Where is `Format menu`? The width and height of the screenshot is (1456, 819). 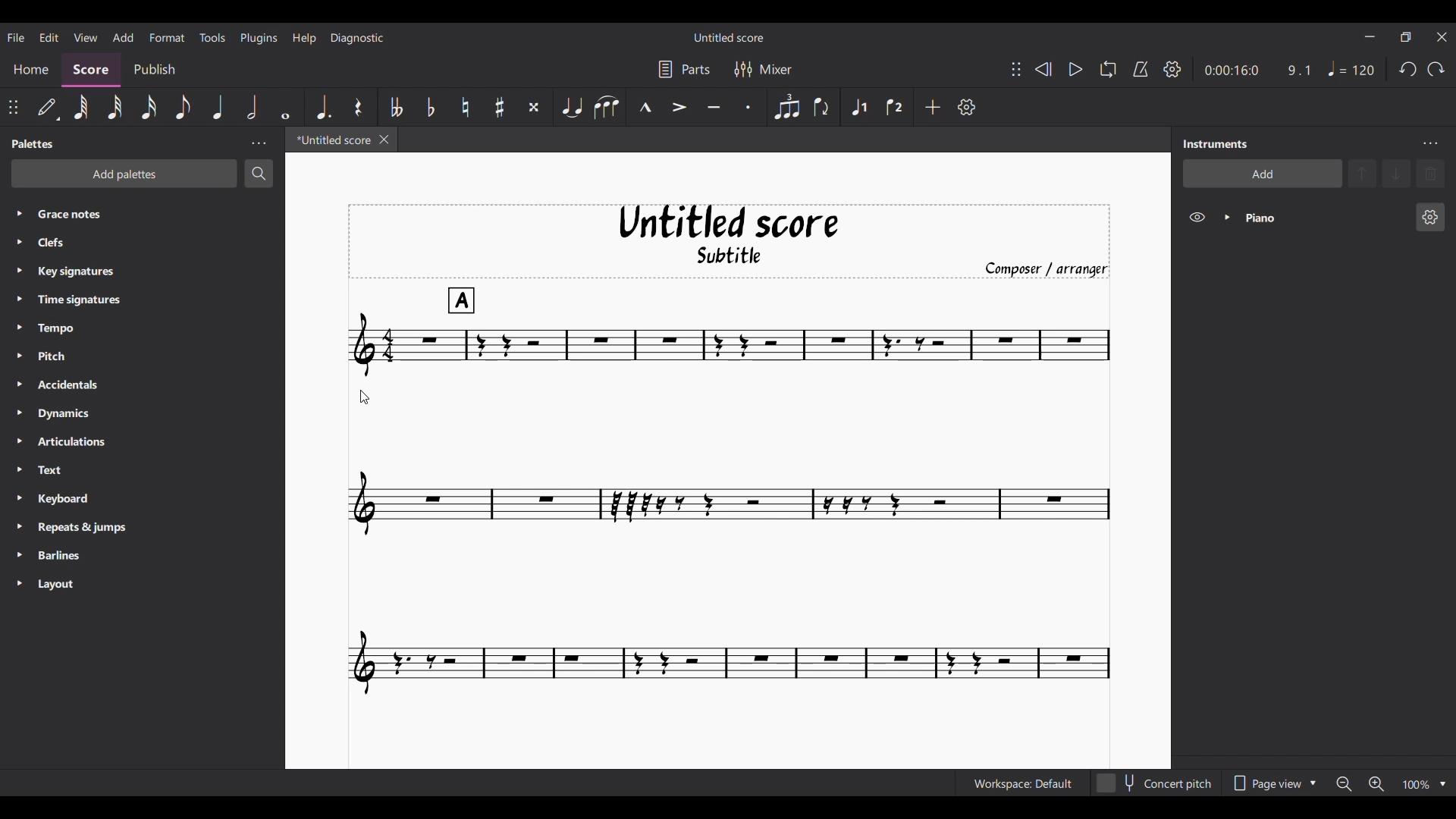
Format menu is located at coordinates (167, 36).